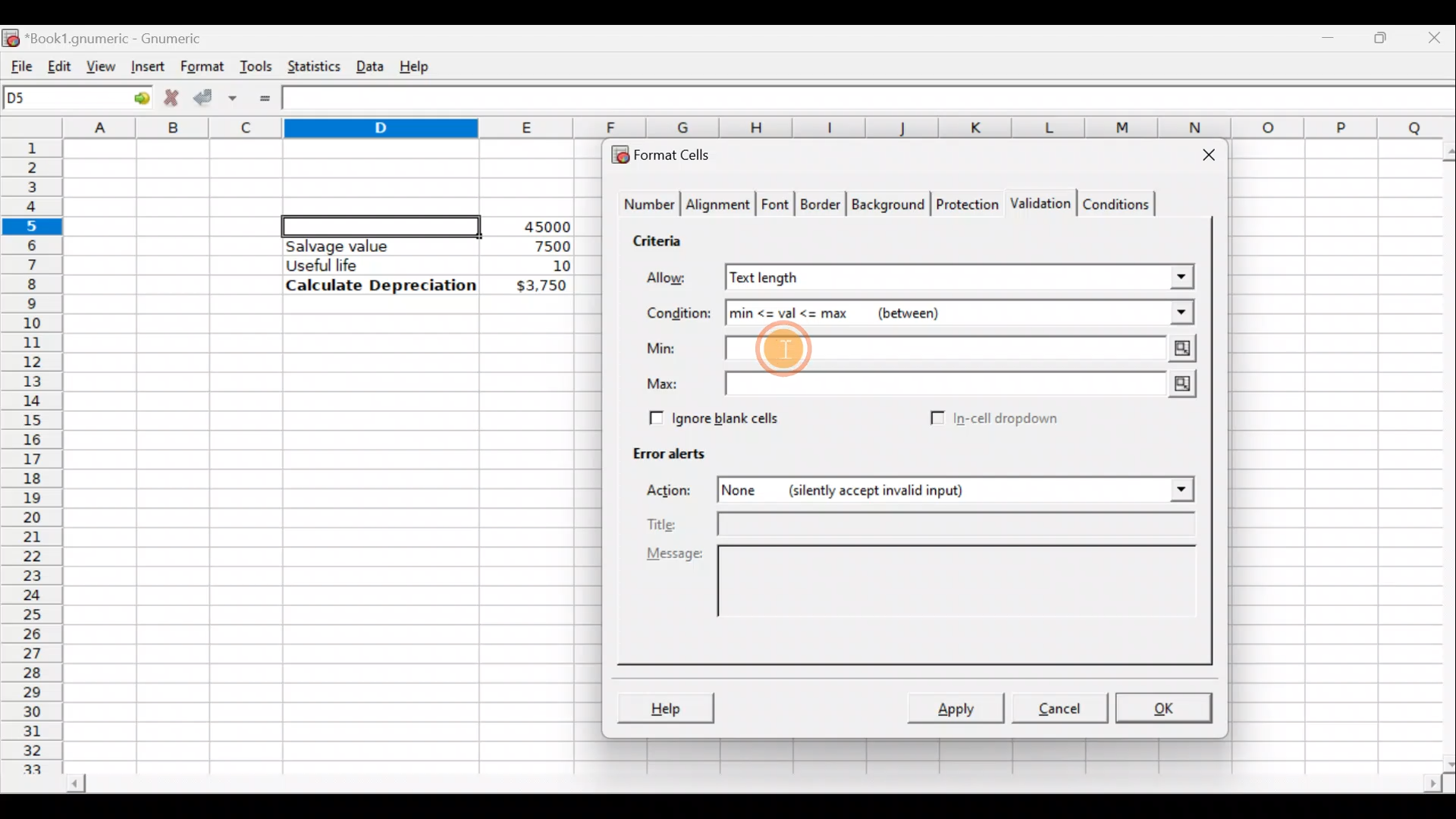 This screenshot has width=1456, height=819. What do you see at coordinates (661, 450) in the screenshot?
I see `Error alerts` at bounding box center [661, 450].